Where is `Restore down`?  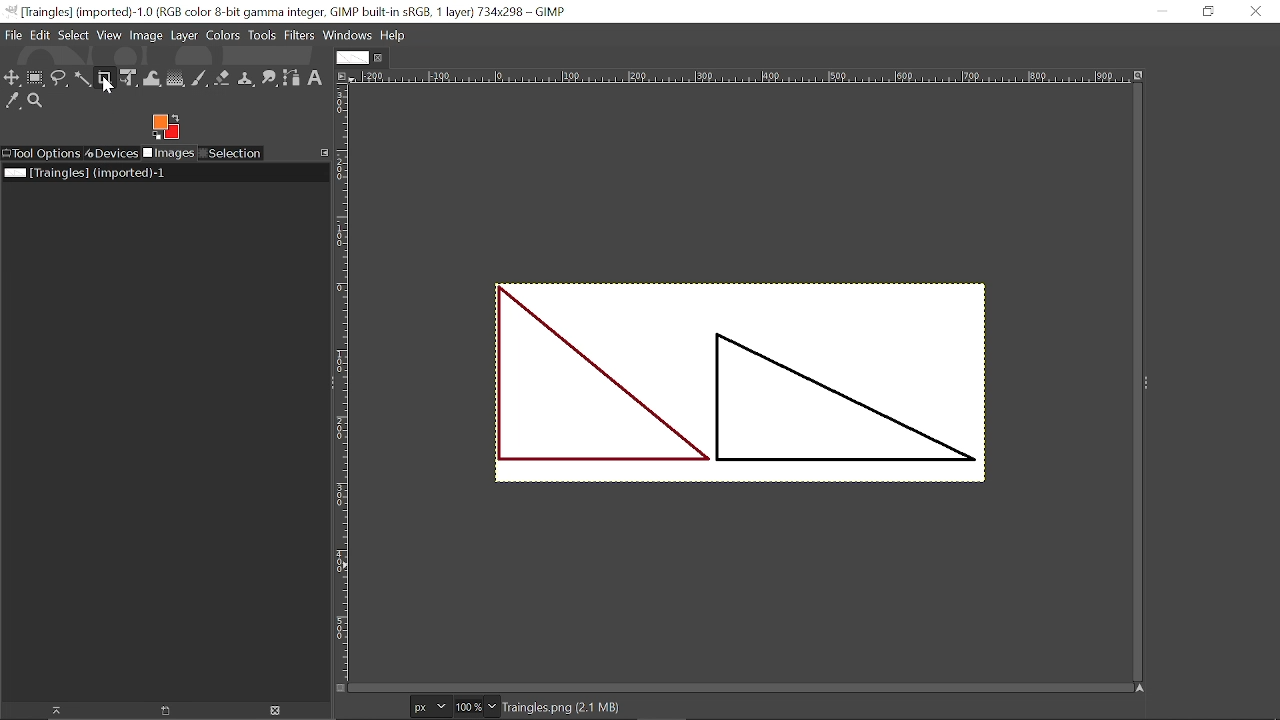 Restore down is located at coordinates (1206, 13).